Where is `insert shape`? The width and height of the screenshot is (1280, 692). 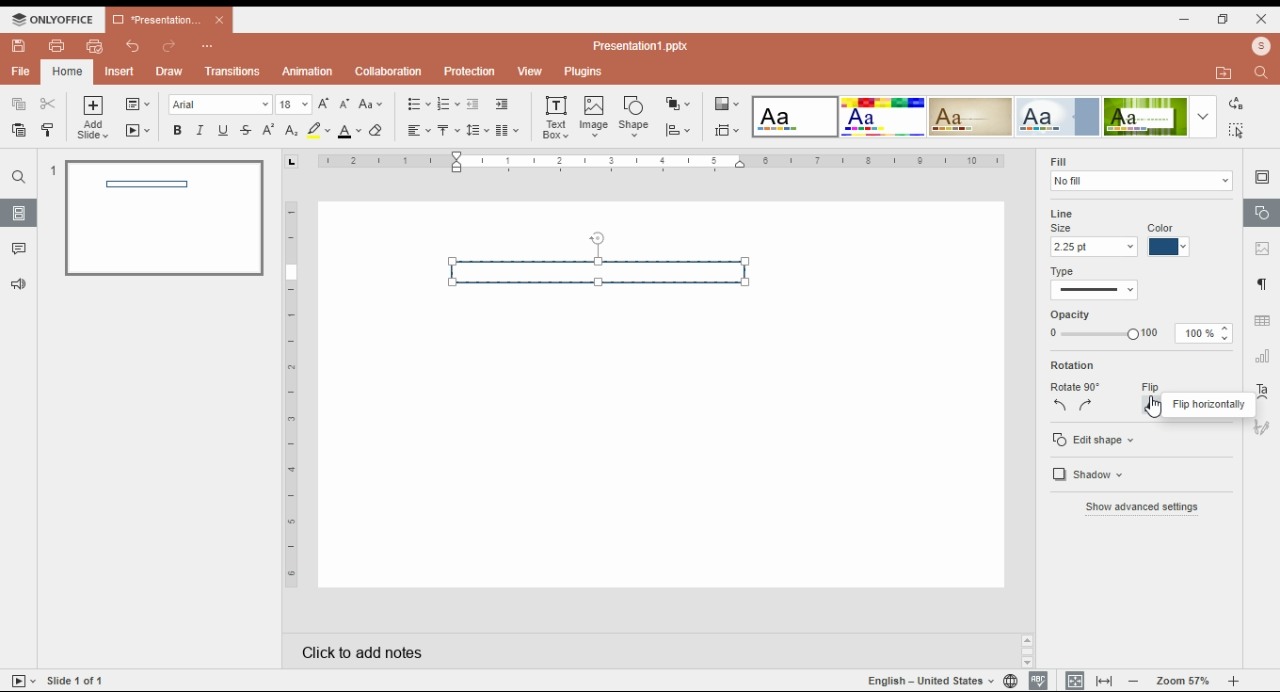 insert shape is located at coordinates (633, 115).